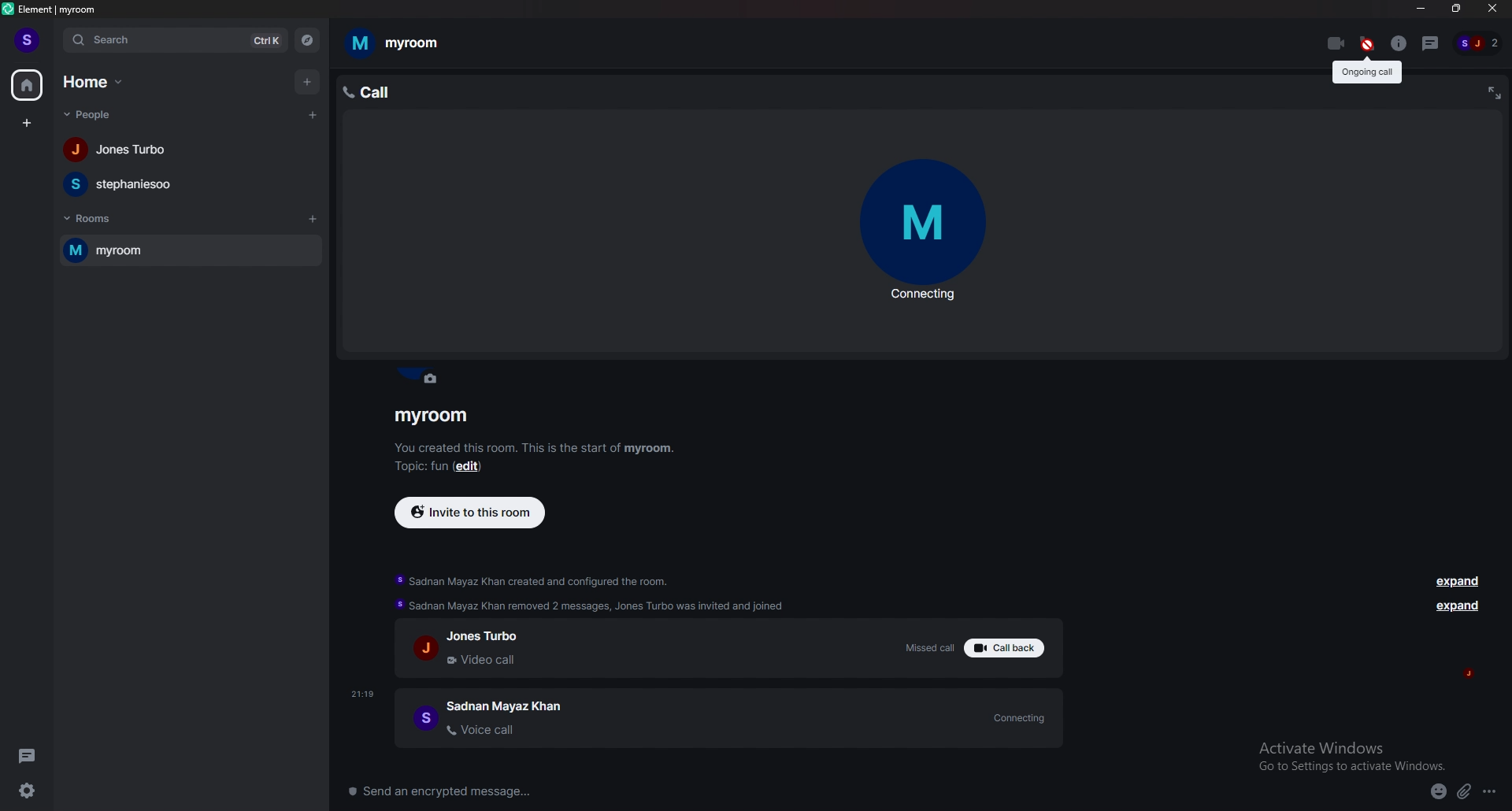 The image size is (1512, 811). What do you see at coordinates (307, 41) in the screenshot?
I see `explore rooms` at bounding box center [307, 41].